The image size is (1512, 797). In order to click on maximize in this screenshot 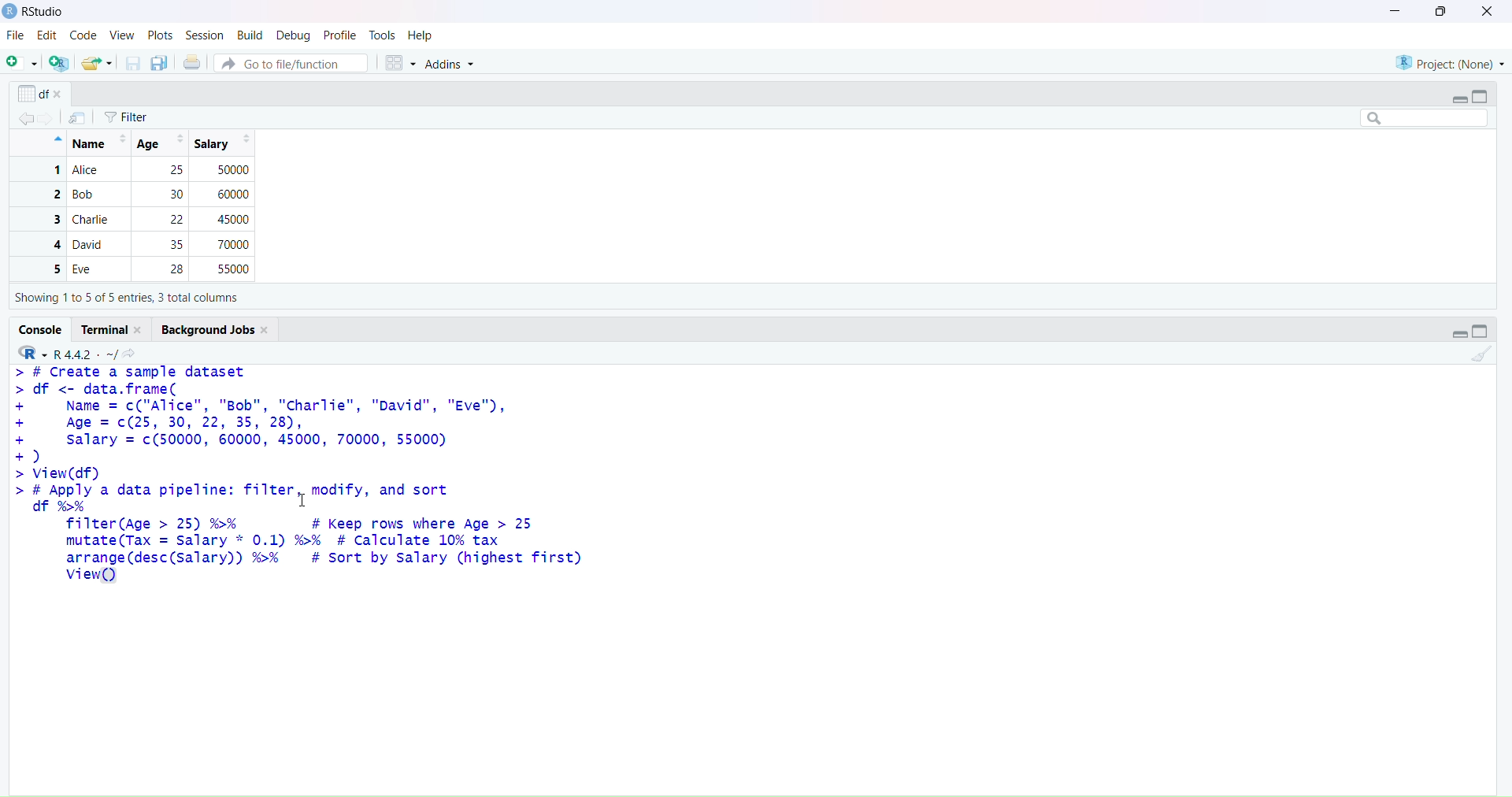, I will do `click(1447, 12)`.